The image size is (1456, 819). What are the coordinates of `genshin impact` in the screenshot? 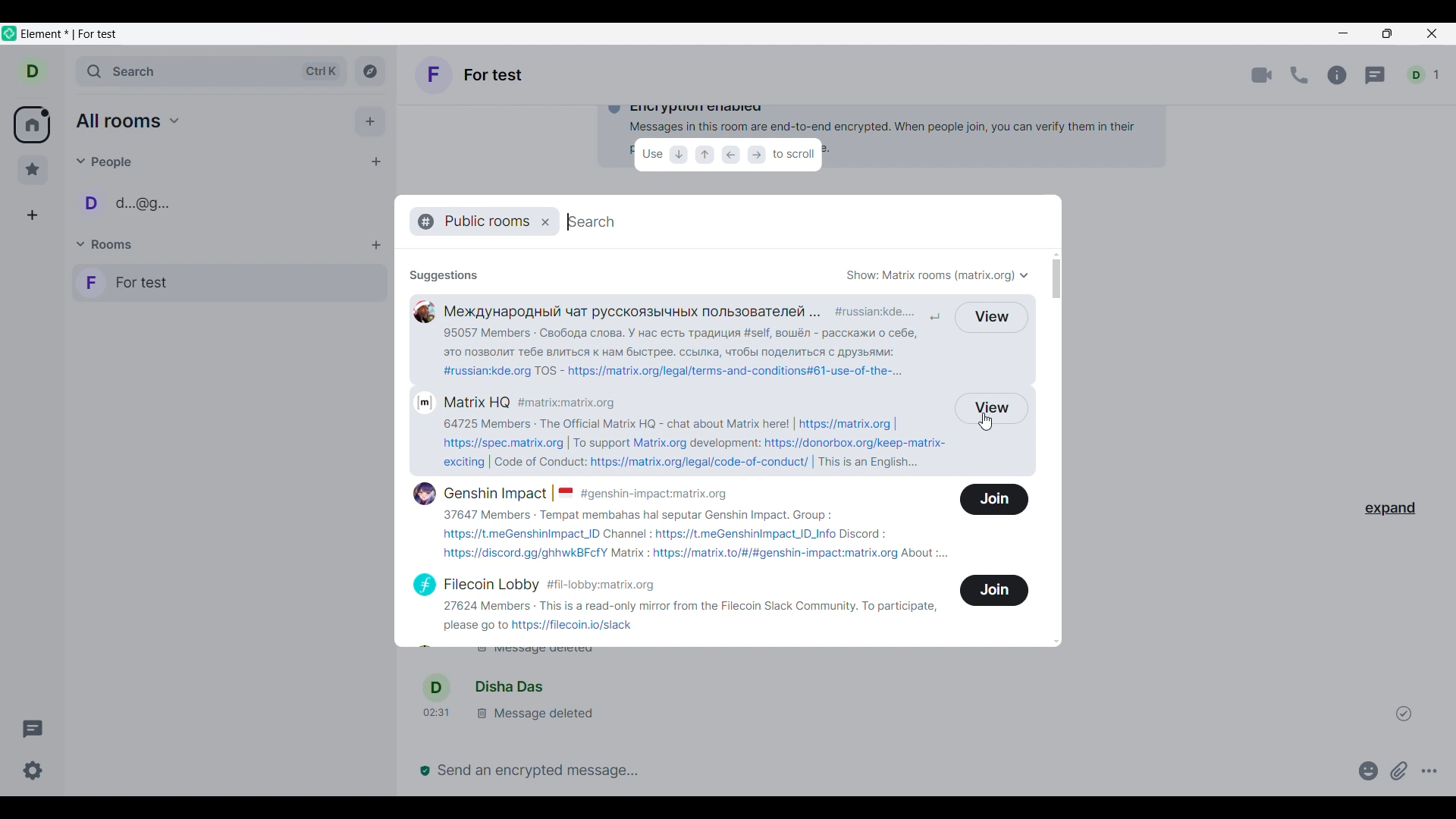 It's located at (488, 493).